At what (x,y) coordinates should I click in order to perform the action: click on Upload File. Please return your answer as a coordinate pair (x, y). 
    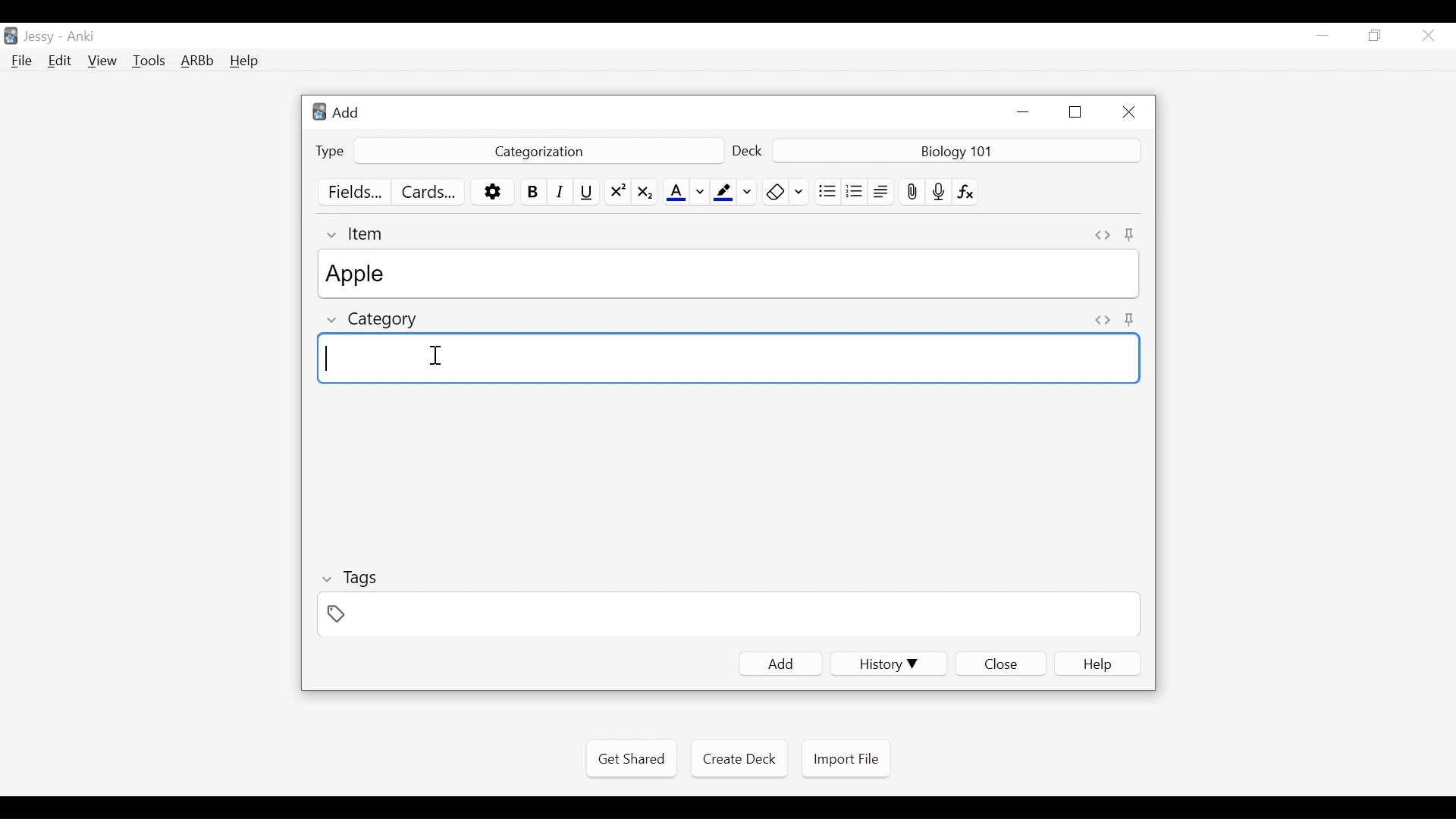
    Looking at the image, I should click on (912, 192).